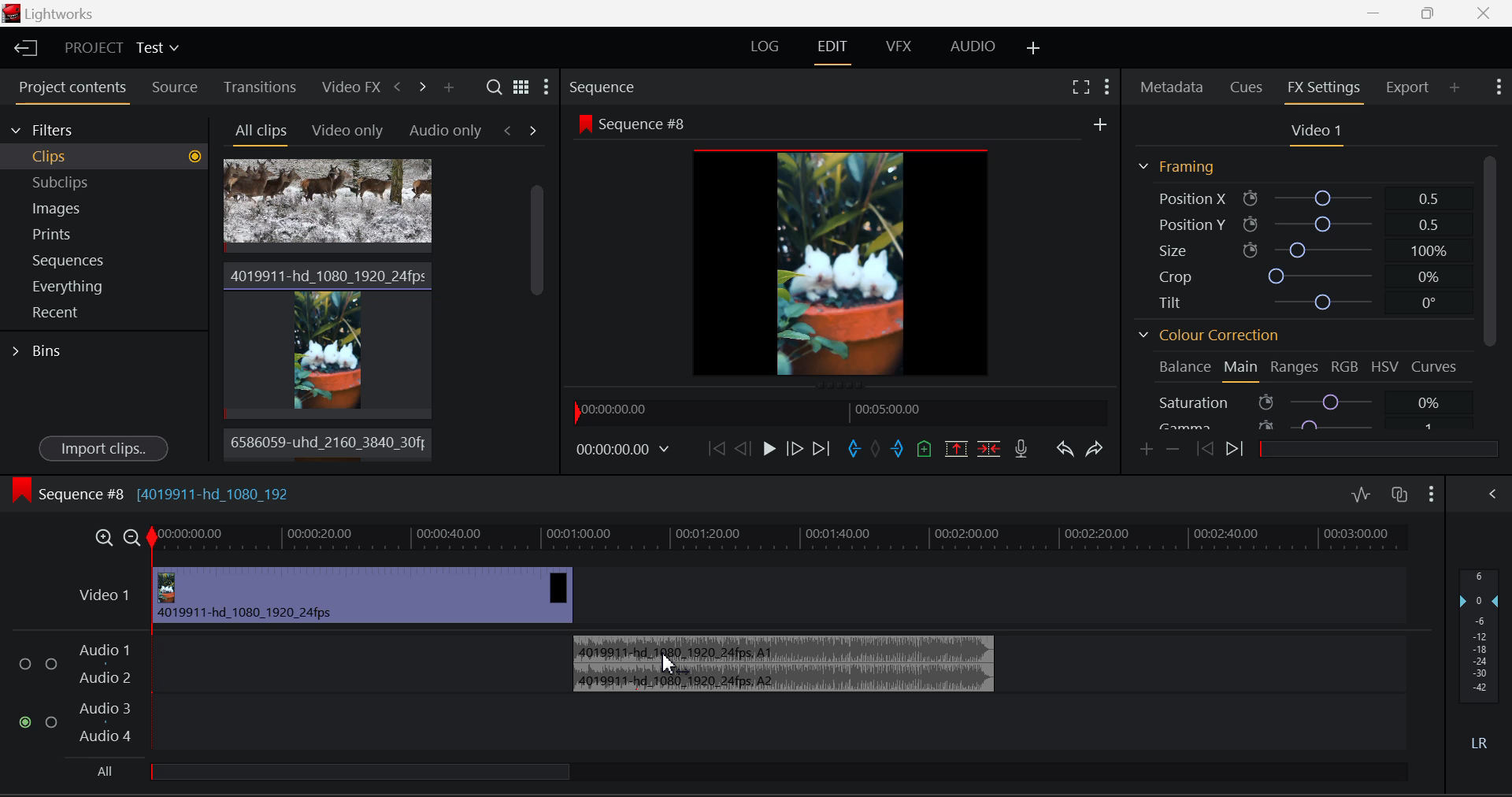 This screenshot has height=797, width=1512. I want to click on Previous Tab, so click(511, 130).